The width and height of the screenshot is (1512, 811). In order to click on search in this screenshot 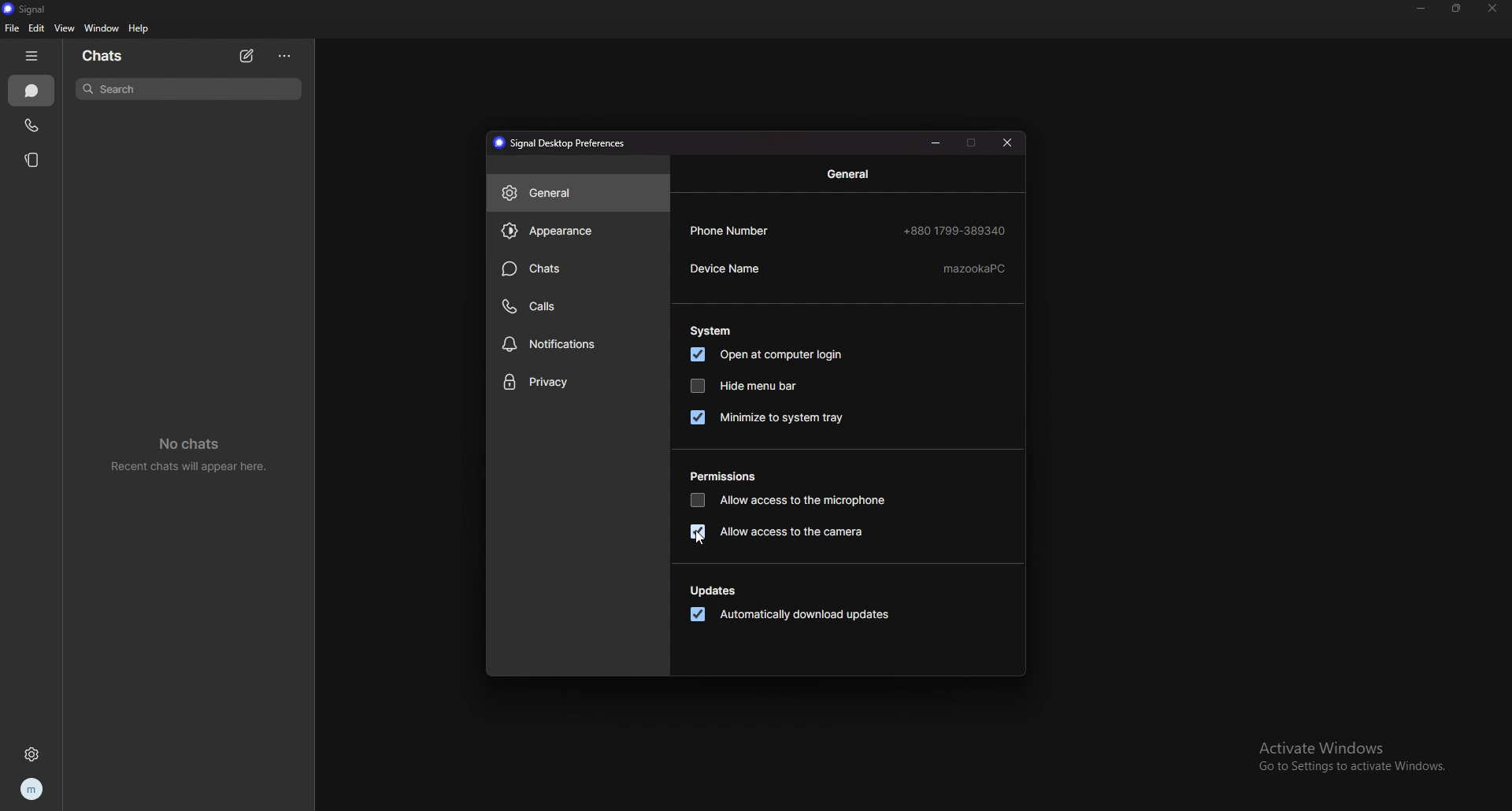, I will do `click(189, 88)`.